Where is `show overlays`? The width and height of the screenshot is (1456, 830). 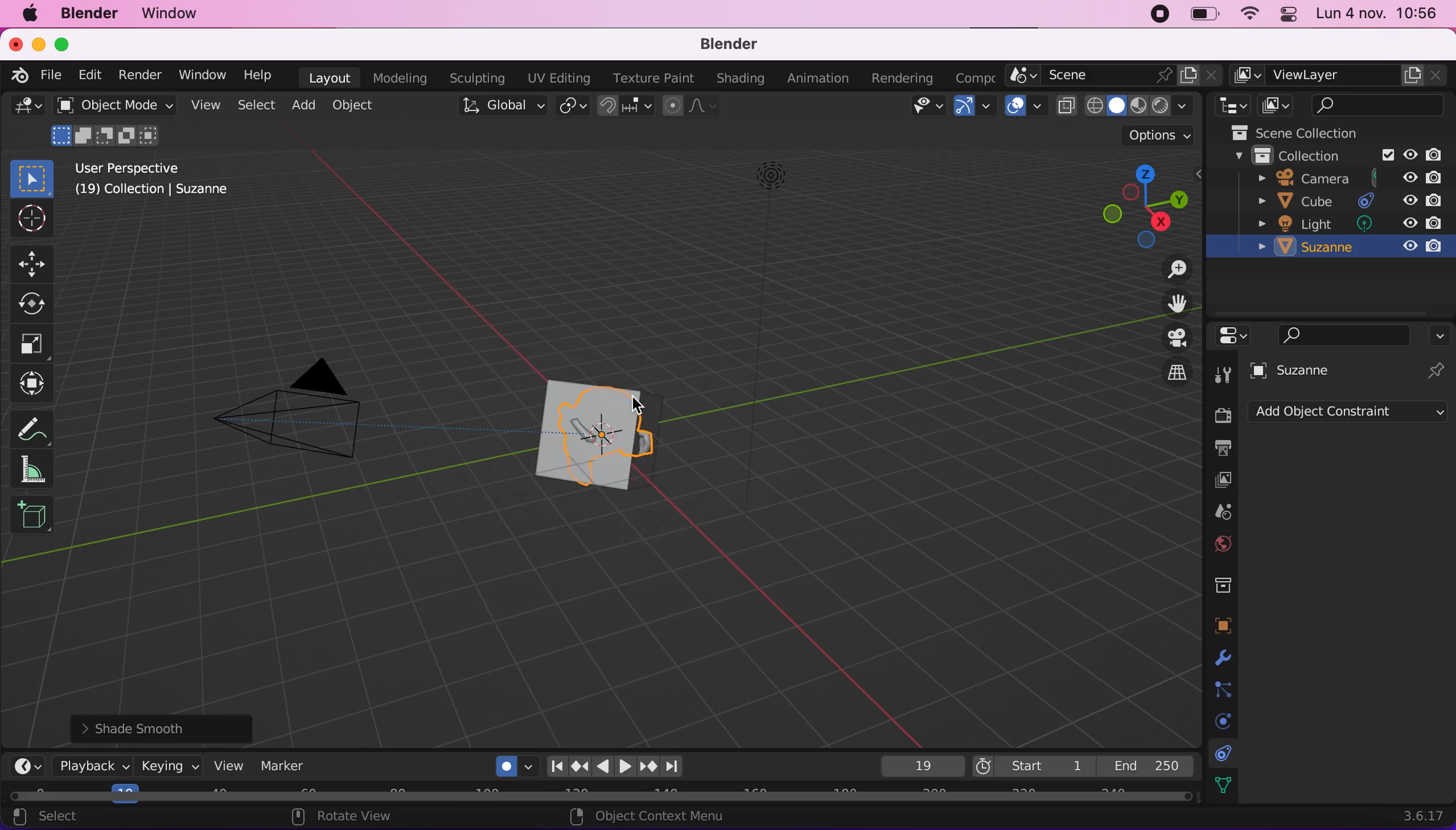
show overlays is located at coordinates (1017, 105).